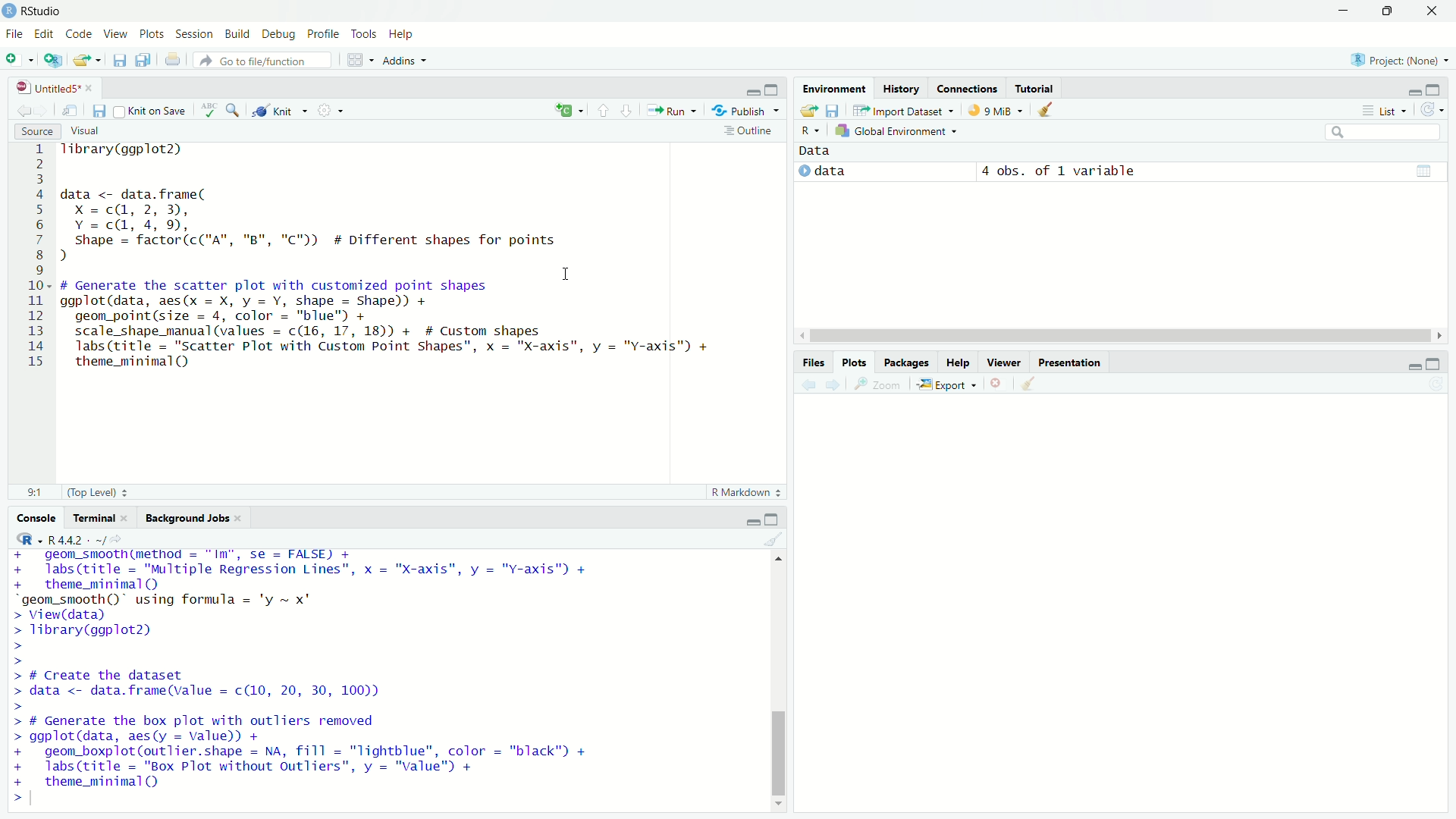 This screenshot has height=819, width=1456. I want to click on Edit, so click(43, 33).